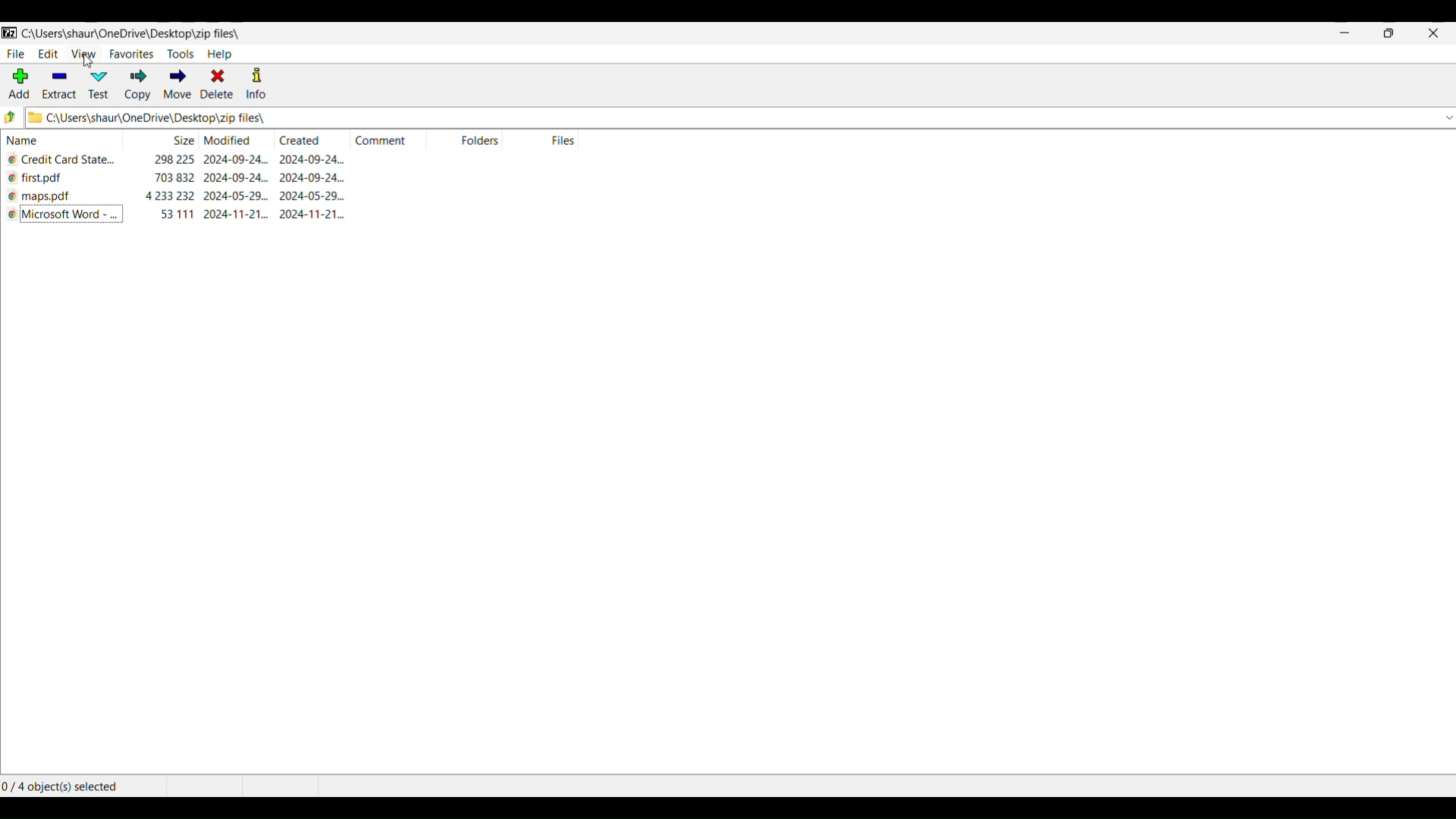 This screenshot has width=1456, height=819. What do you see at coordinates (48, 55) in the screenshot?
I see `edit` at bounding box center [48, 55].